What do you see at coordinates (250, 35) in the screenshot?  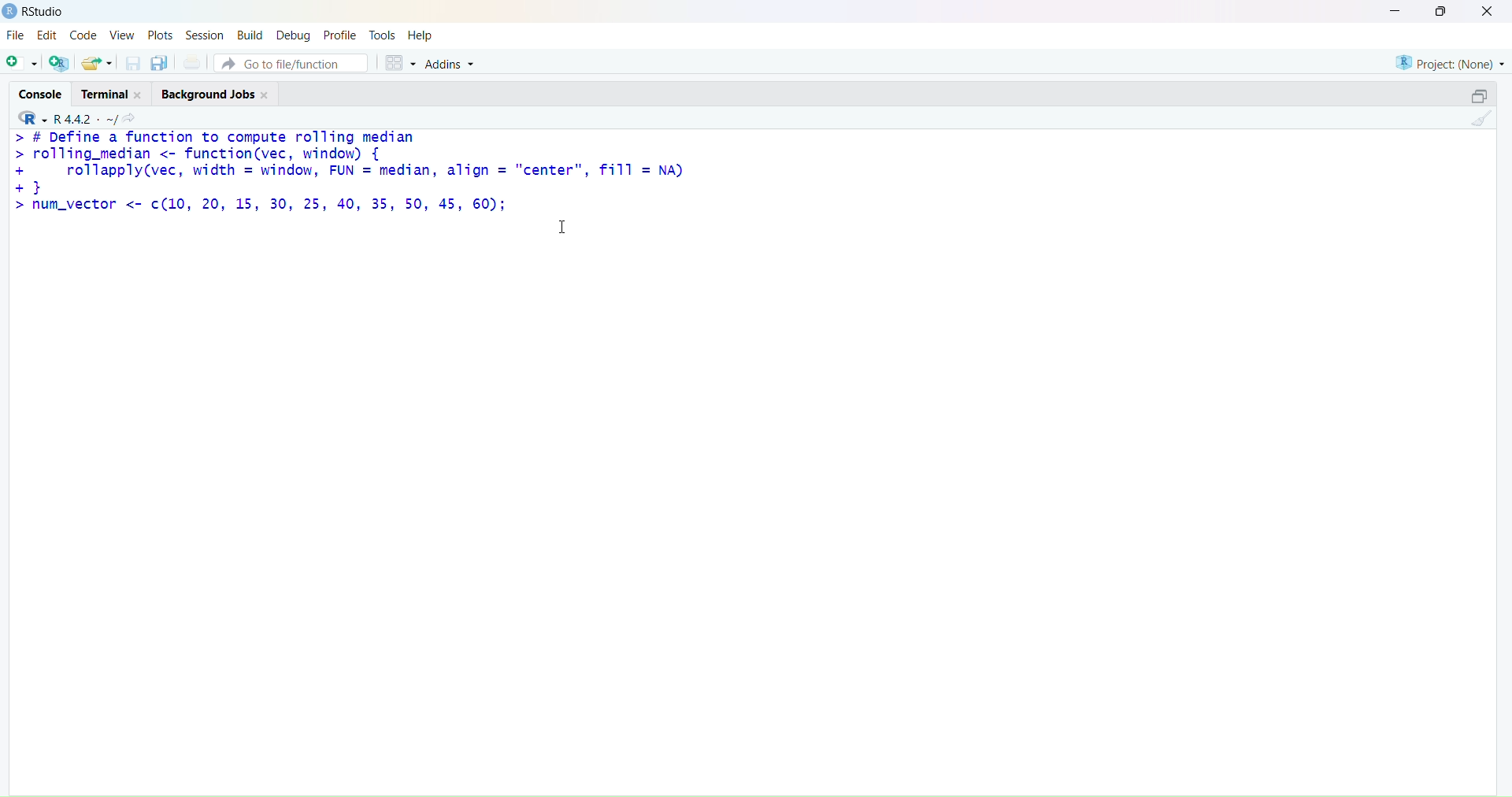 I see `build` at bounding box center [250, 35].